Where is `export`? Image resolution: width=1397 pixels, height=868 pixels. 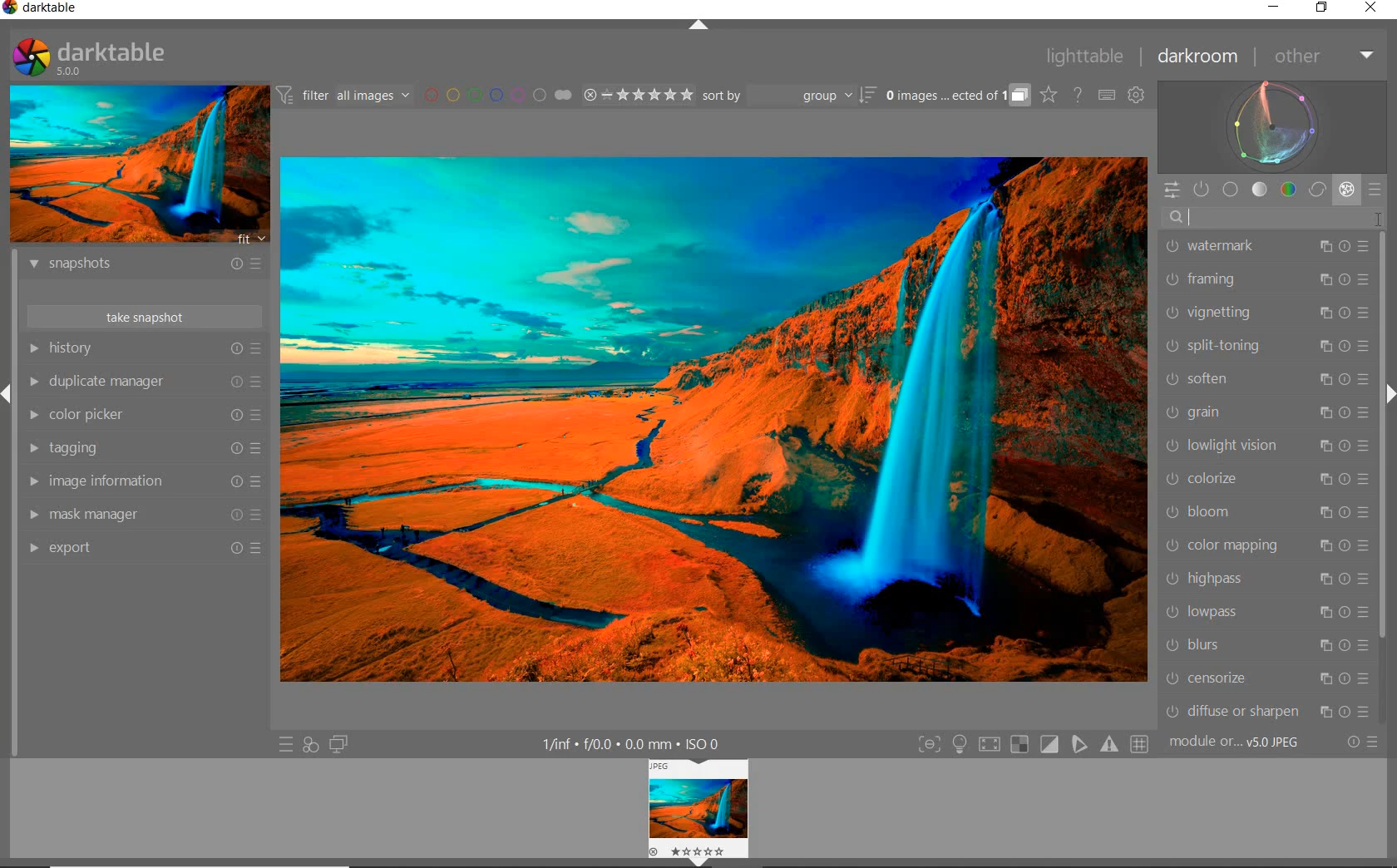
export is located at coordinates (146, 550).